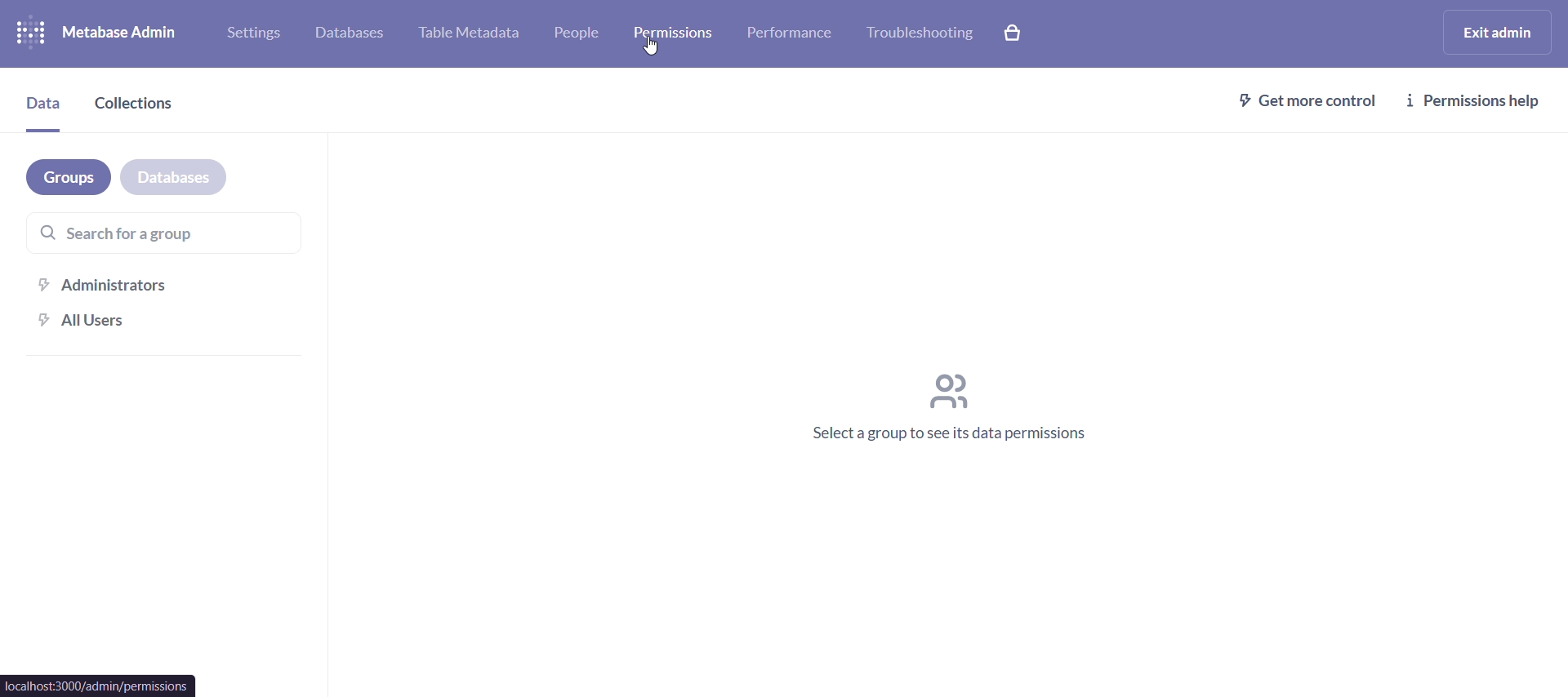  What do you see at coordinates (670, 36) in the screenshot?
I see `permissions` at bounding box center [670, 36].